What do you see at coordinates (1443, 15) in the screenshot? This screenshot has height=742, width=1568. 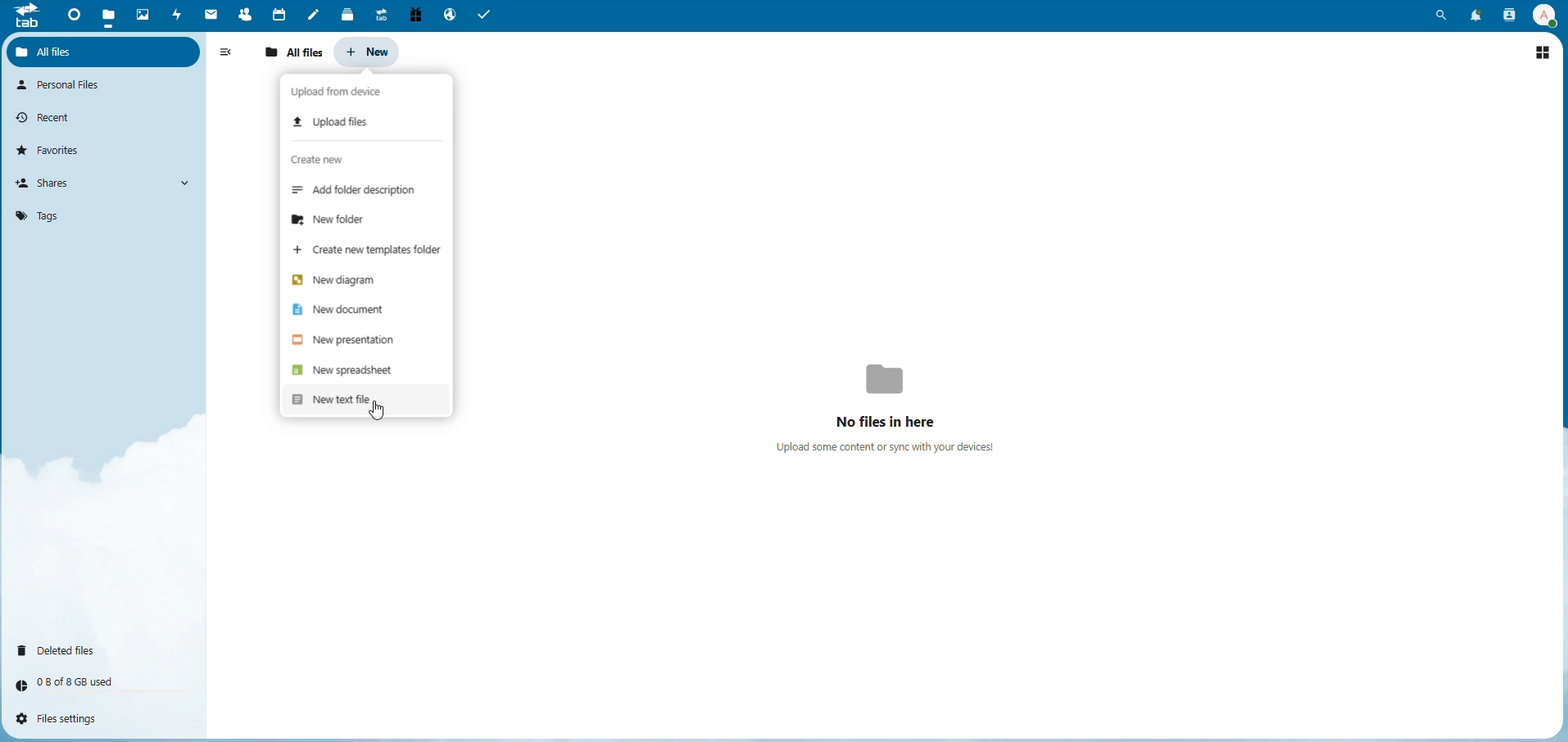 I see `Search` at bounding box center [1443, 15].